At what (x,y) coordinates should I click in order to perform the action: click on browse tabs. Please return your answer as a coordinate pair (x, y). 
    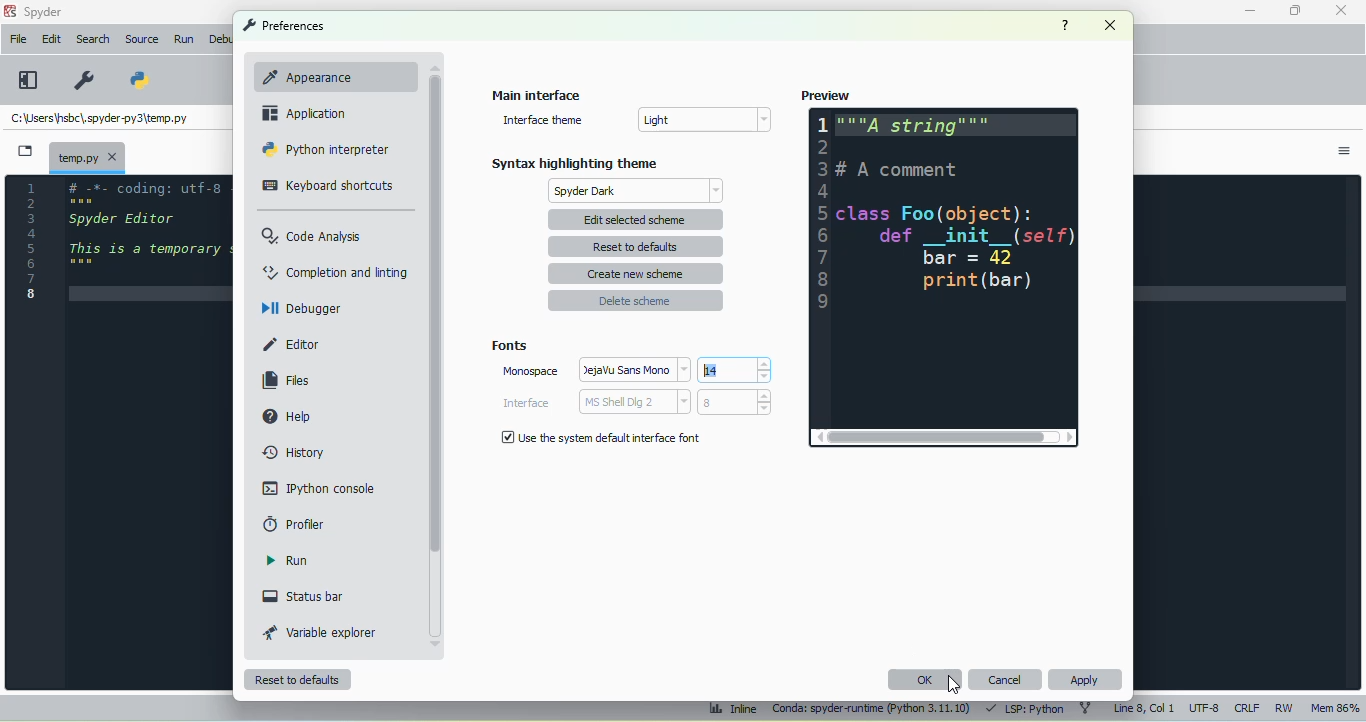
    Looking at the image, I should click on (25, 151).